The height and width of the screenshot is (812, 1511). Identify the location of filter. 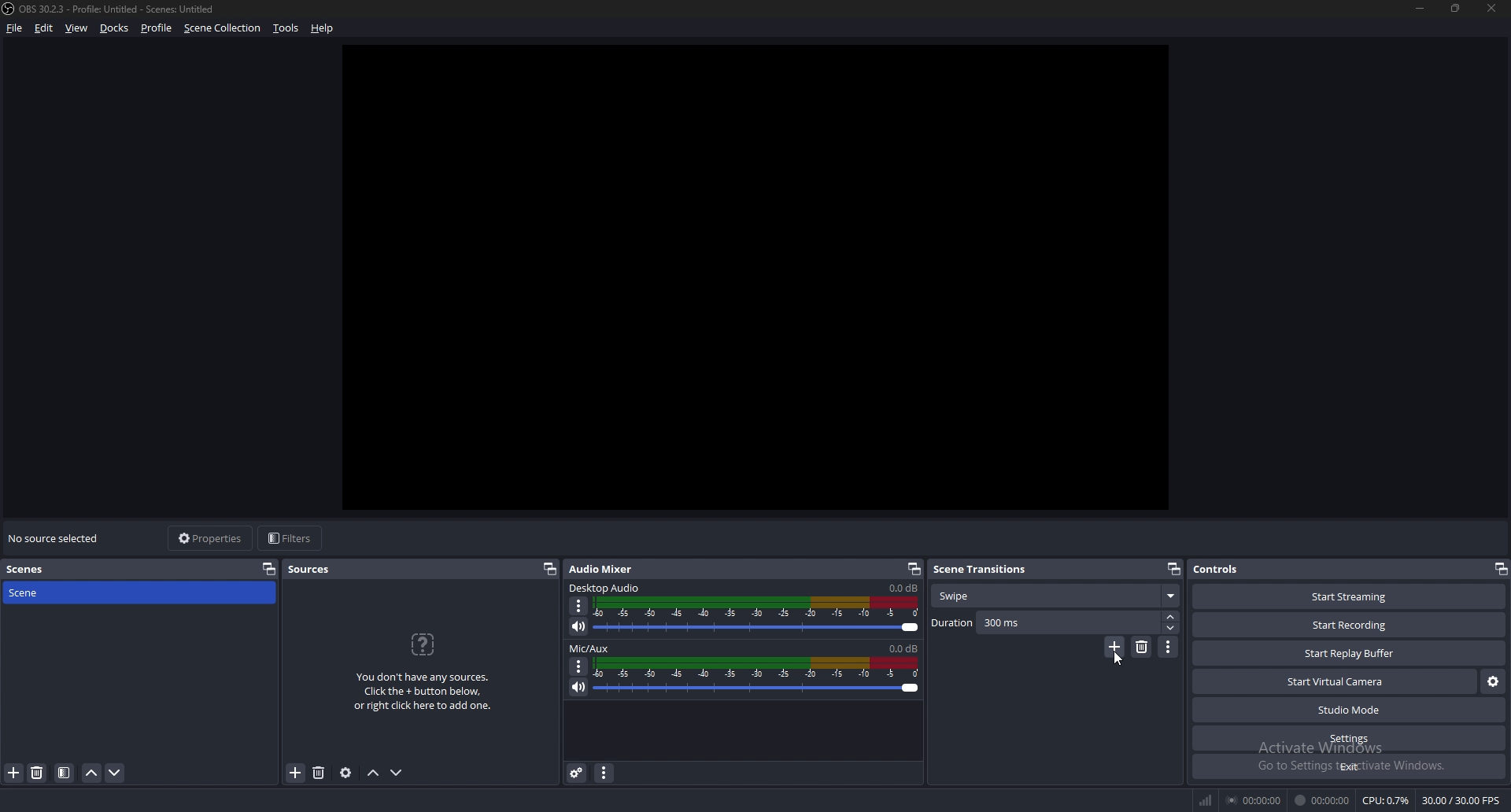
(64, 773).